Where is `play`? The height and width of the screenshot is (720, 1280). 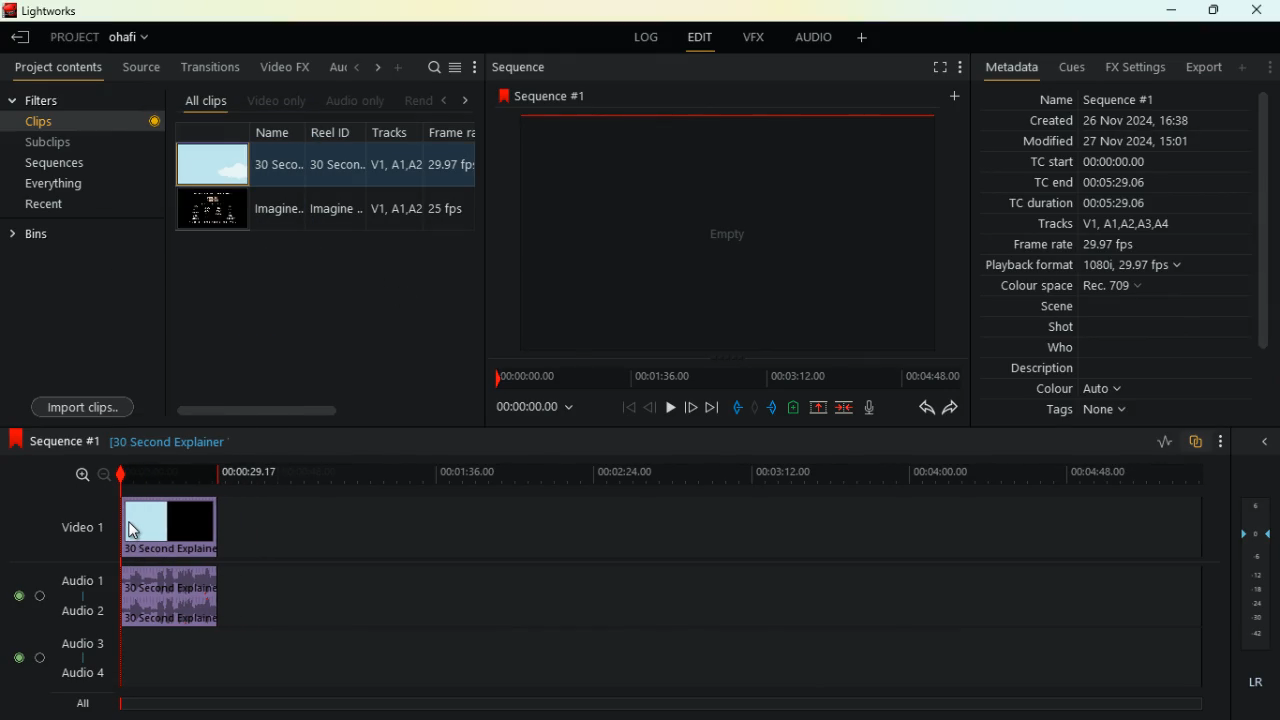
play is located at coordinates (670, 407).